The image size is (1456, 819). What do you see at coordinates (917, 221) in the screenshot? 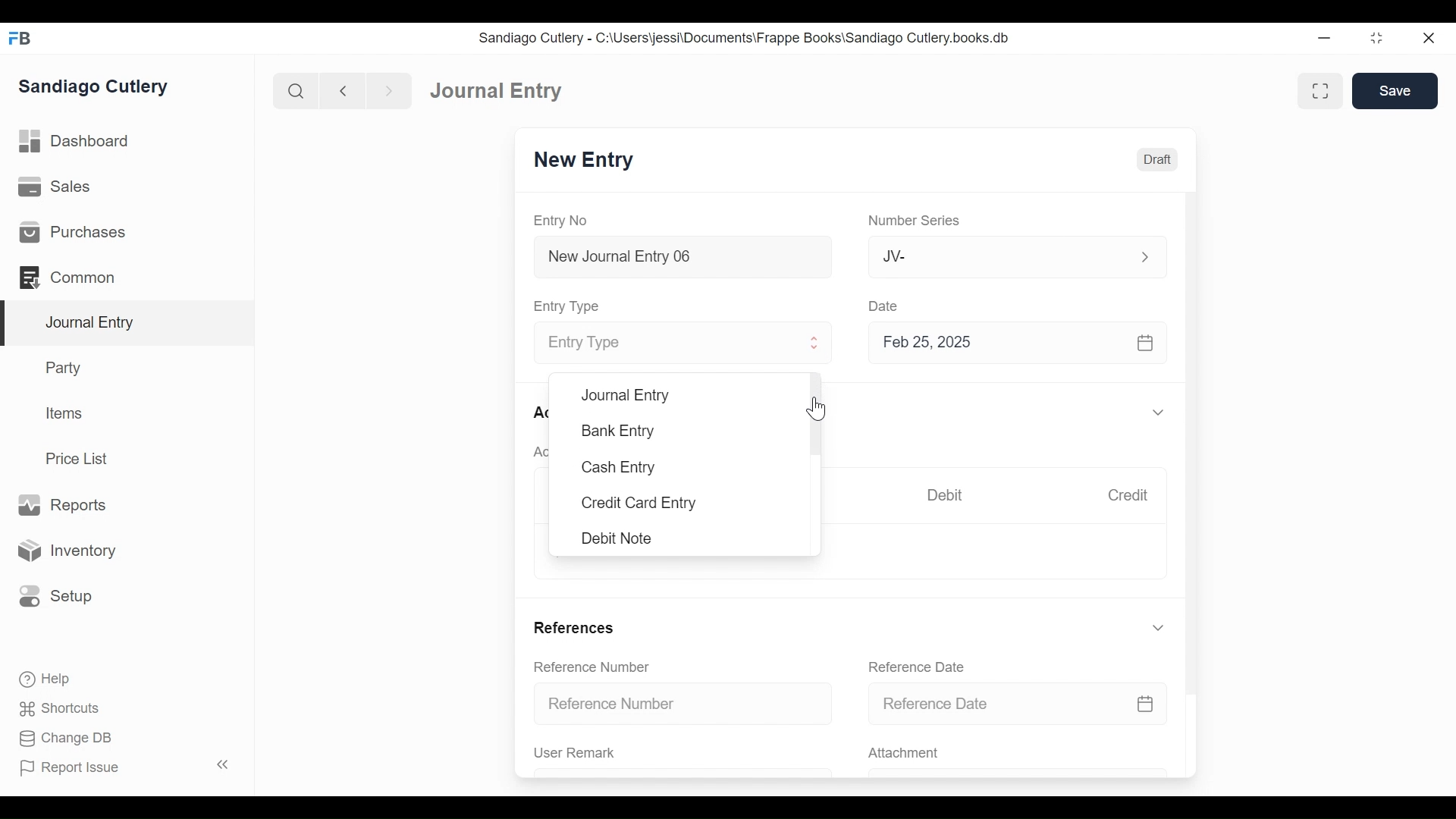
I see `Number Series` at bounding box center [917, 221].